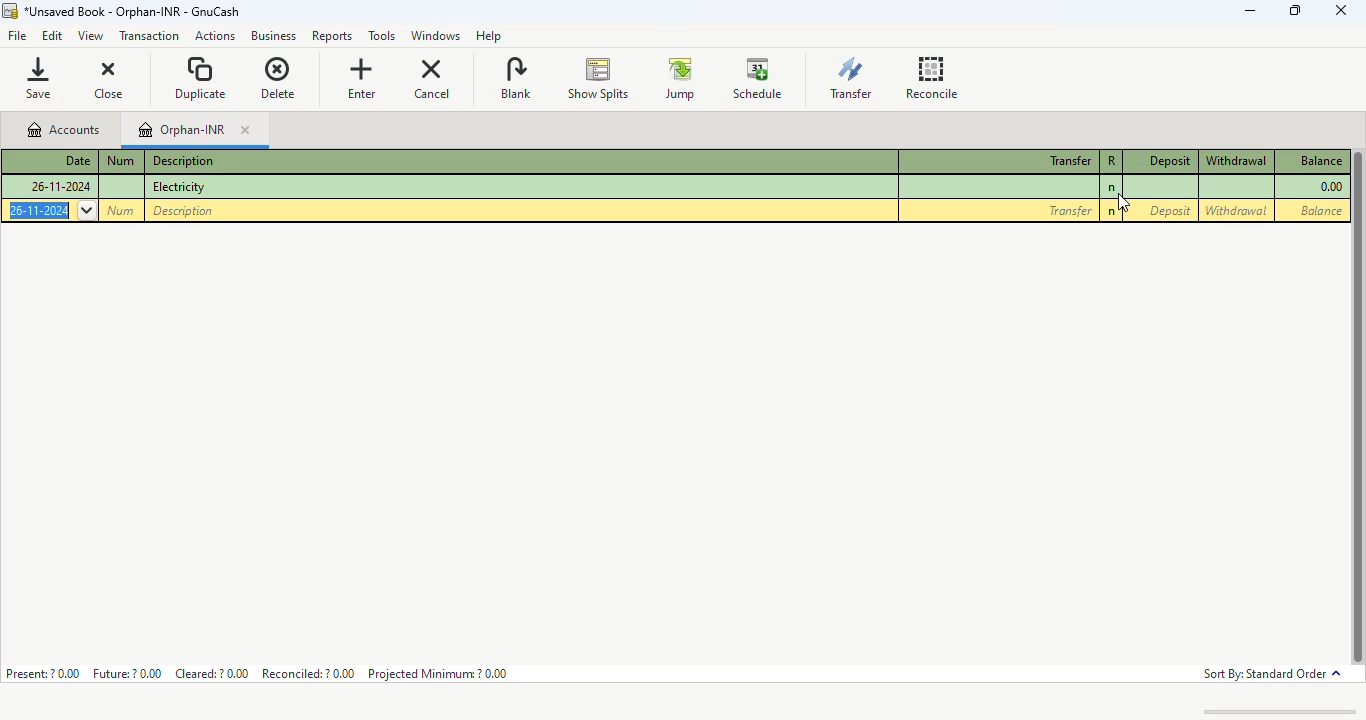  What do you see at coordinates (182, 210) in the screenshot?
I see `description` at bounding box center [182, 210].